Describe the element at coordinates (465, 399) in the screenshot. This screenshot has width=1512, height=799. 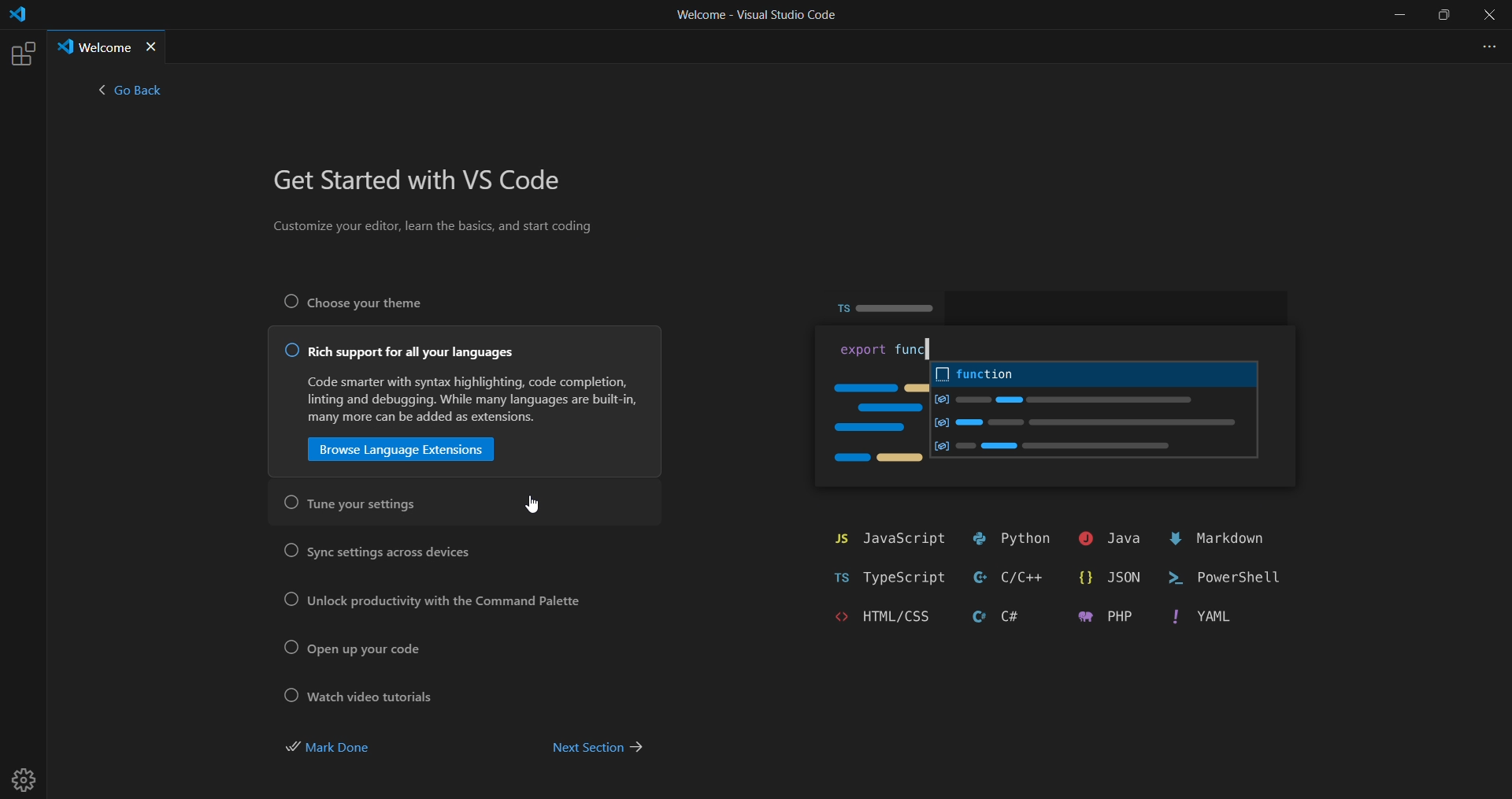
I see `Code smarter with syntax highlighting, code completion,
linting and debugging. While many languages are built-in,
many more can be added as extensions.` at that location.